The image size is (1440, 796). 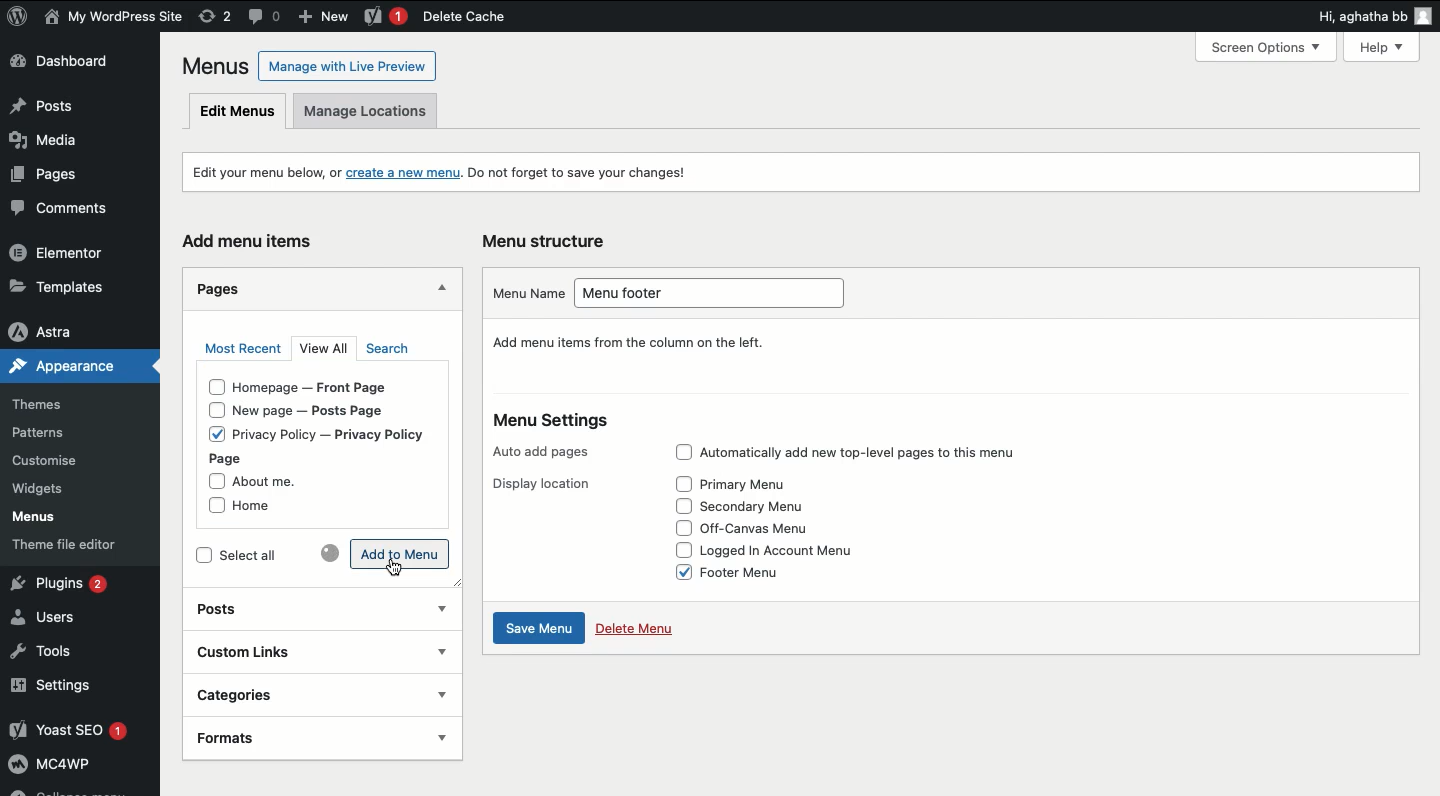 What do you see at coordinates (463, 17) in the screenshot?
I see `Delete cache` at bounding box center [463, 17].